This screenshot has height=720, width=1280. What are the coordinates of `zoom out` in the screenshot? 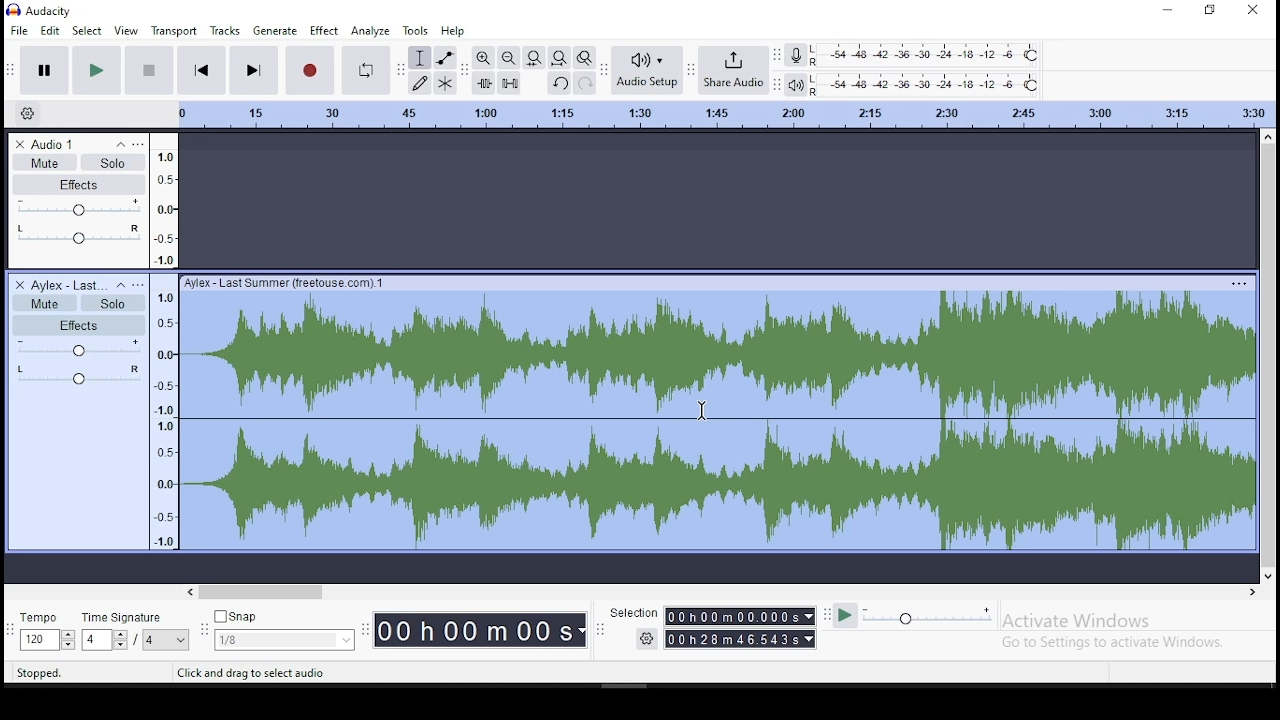 It's located at (508, 58).